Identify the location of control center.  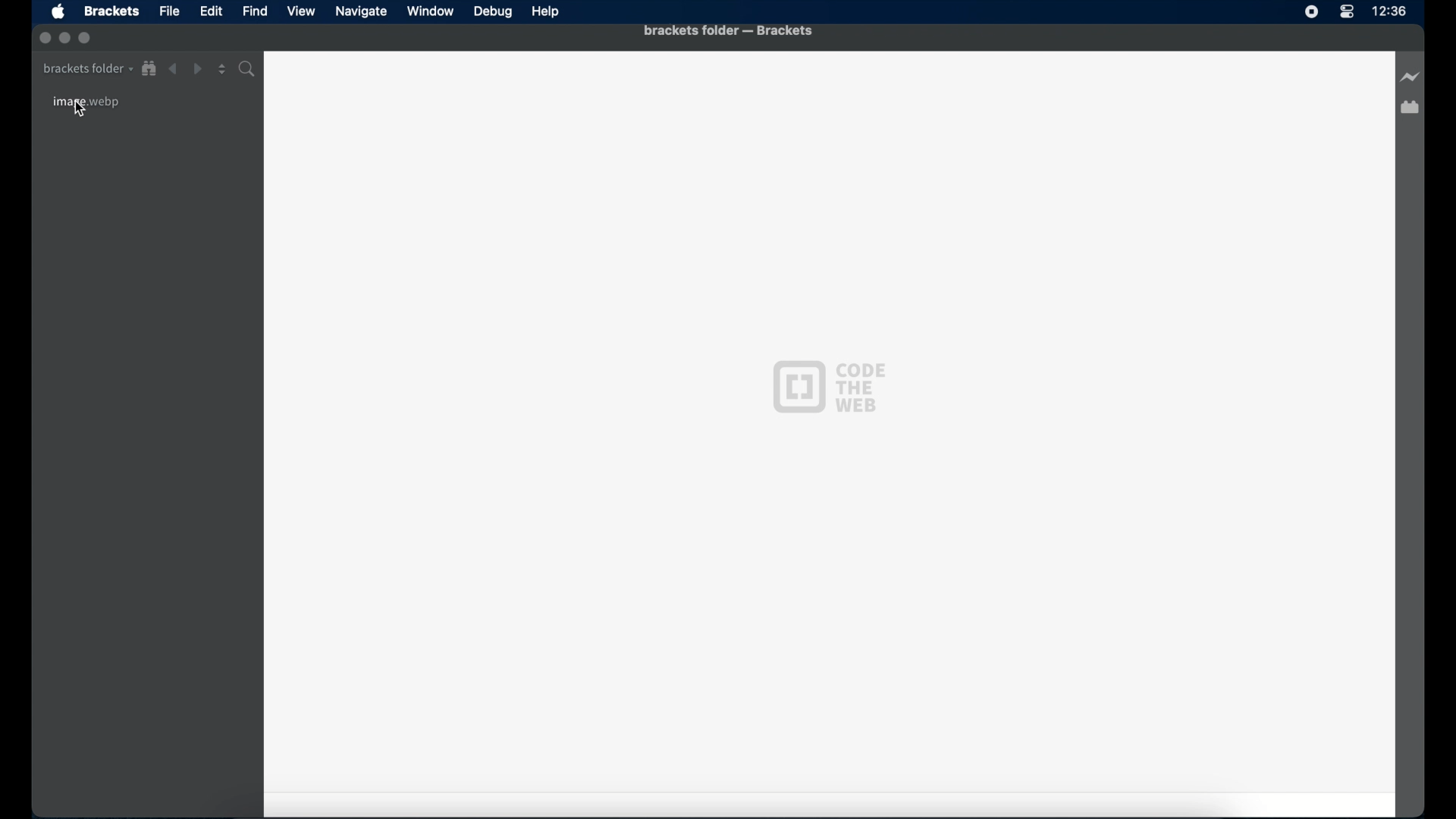
(1347, 12).